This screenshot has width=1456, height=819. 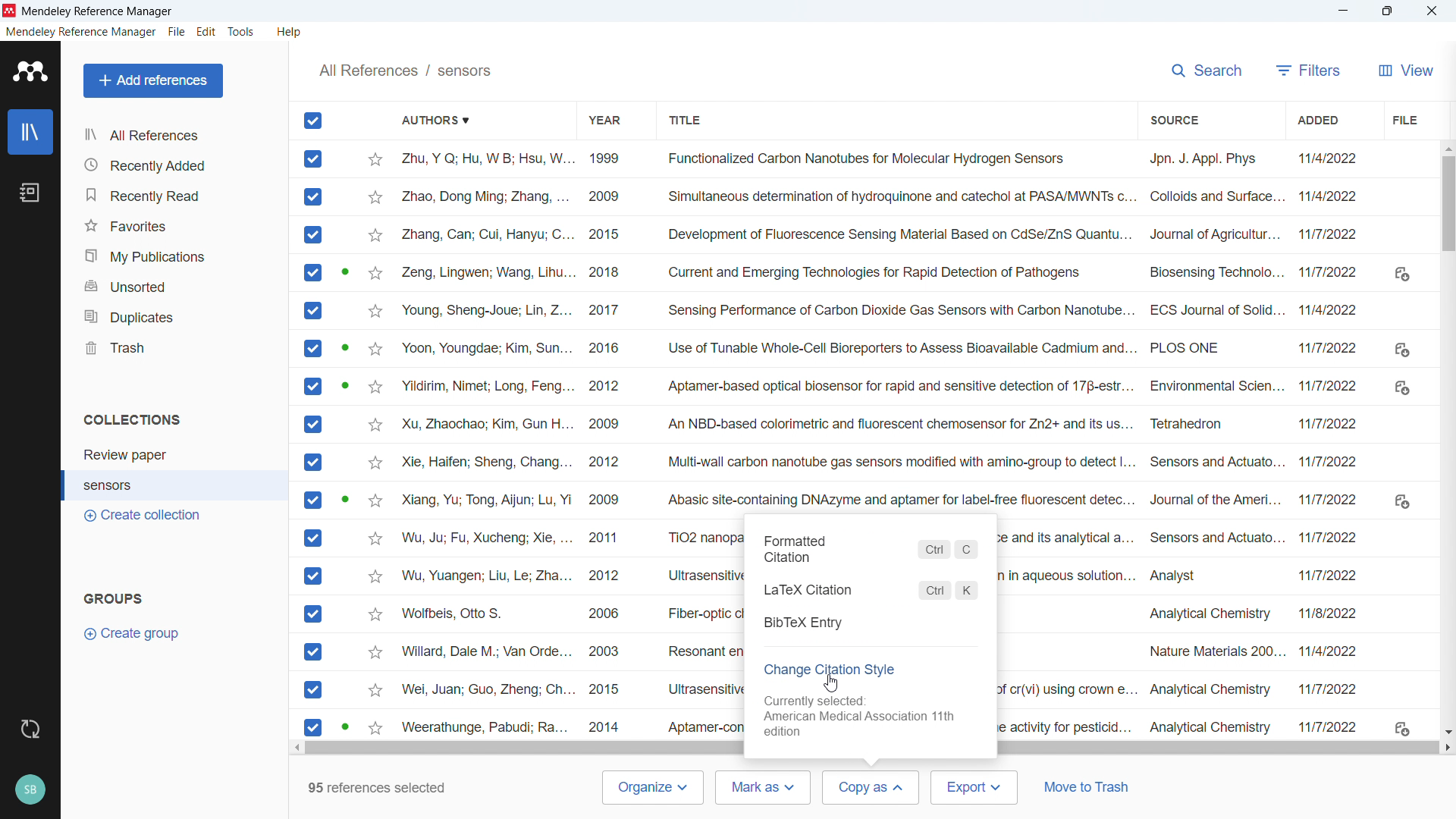 What do you see at coordinates (689, 121) in the screenshot?
I see `Sort by title ` at bounding box center [689, 121].